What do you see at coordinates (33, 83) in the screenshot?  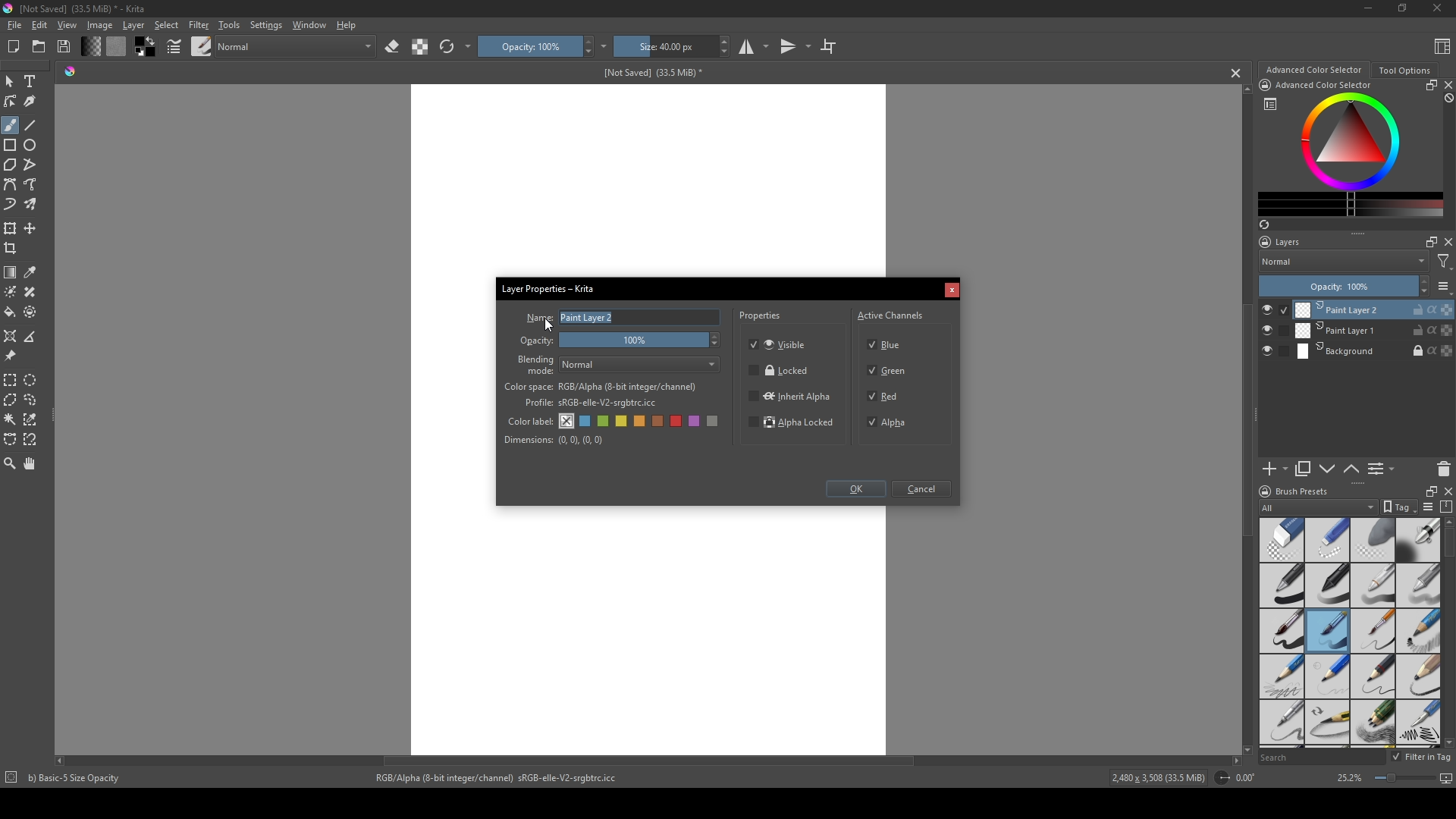 I see `Text` at bounding box center [33, 83].